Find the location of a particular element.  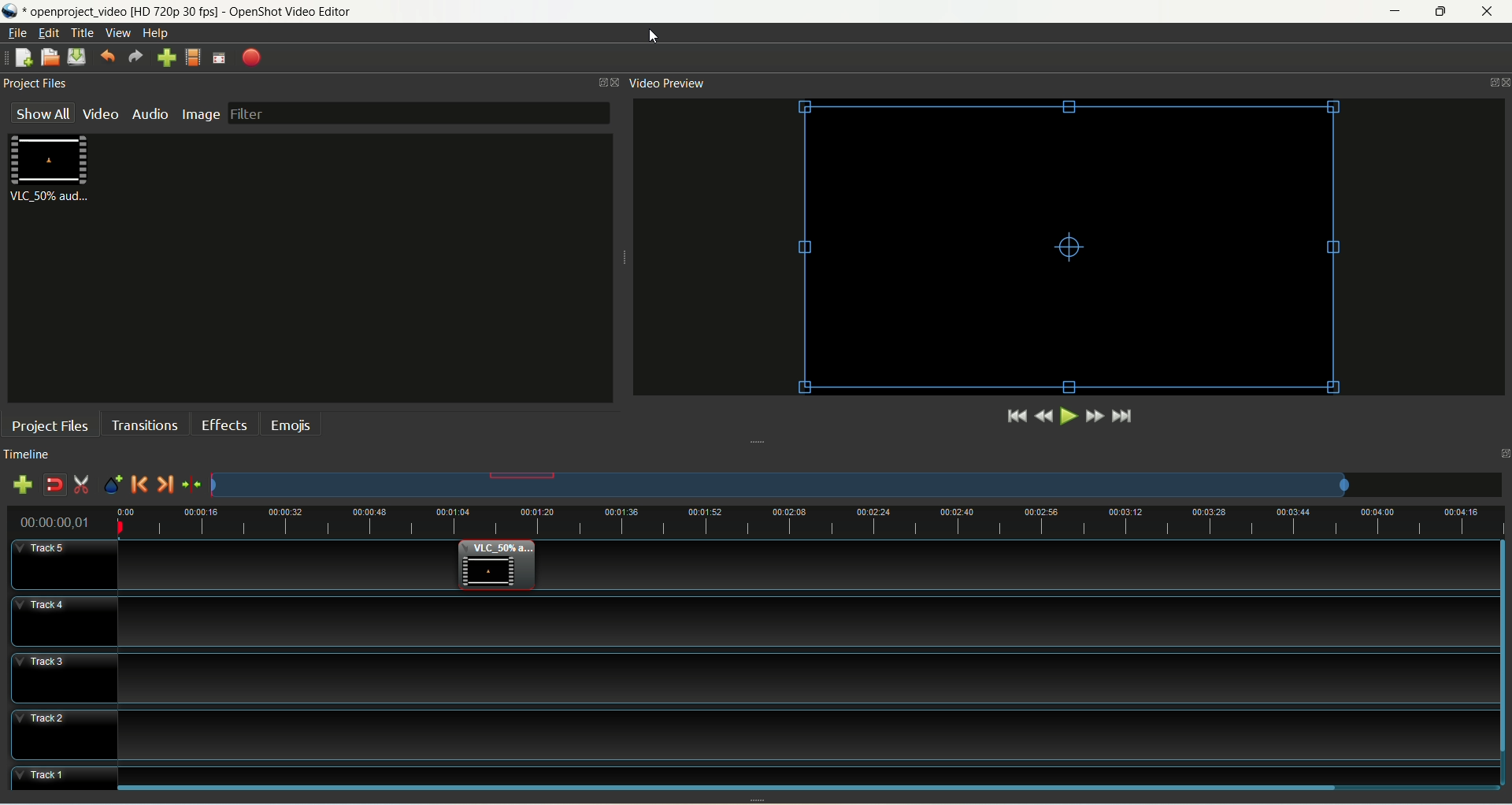

import file is located at coordinates (167, 58).